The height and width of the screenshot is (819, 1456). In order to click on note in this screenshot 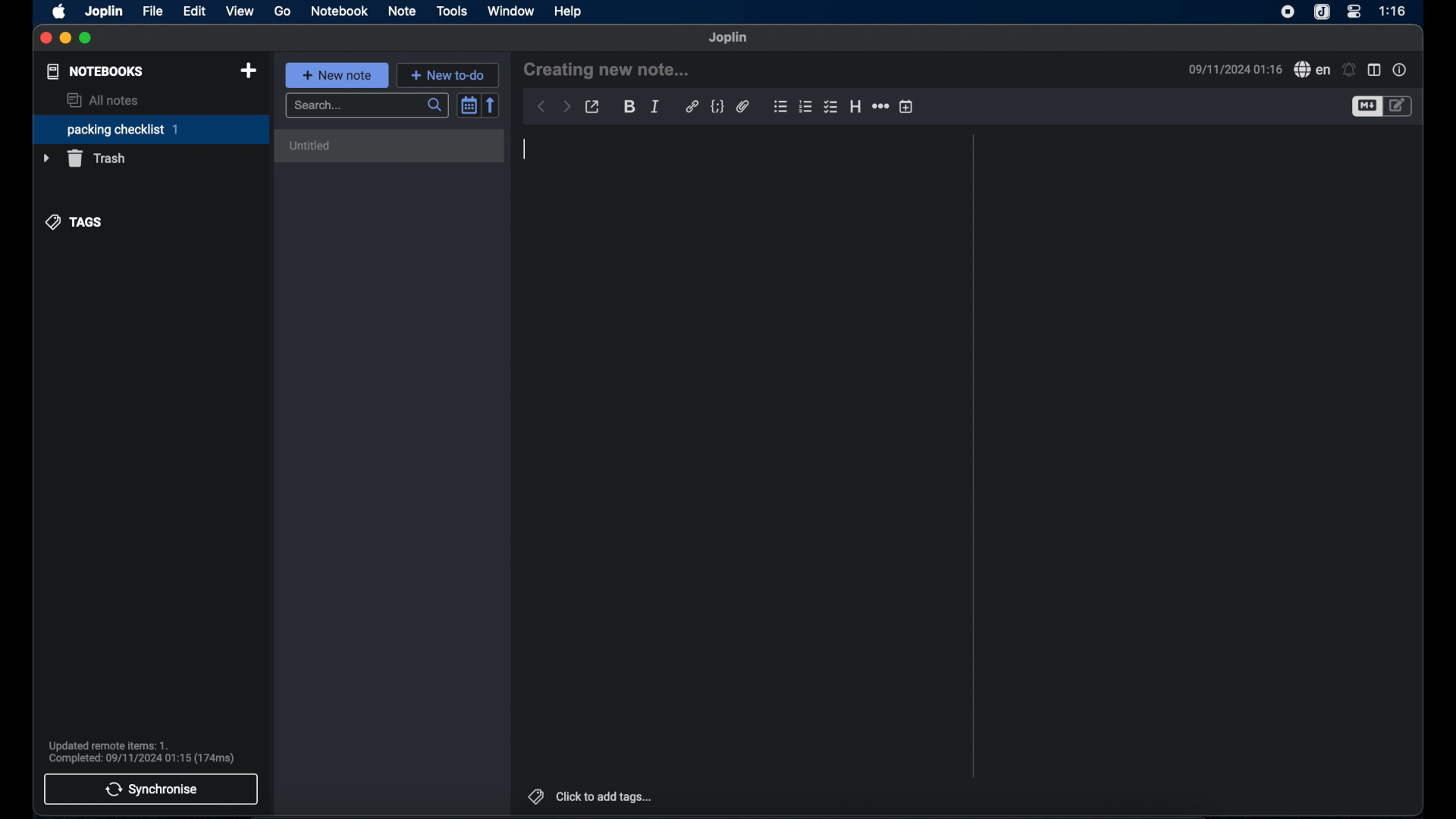, I will do `click(403, 11)`.